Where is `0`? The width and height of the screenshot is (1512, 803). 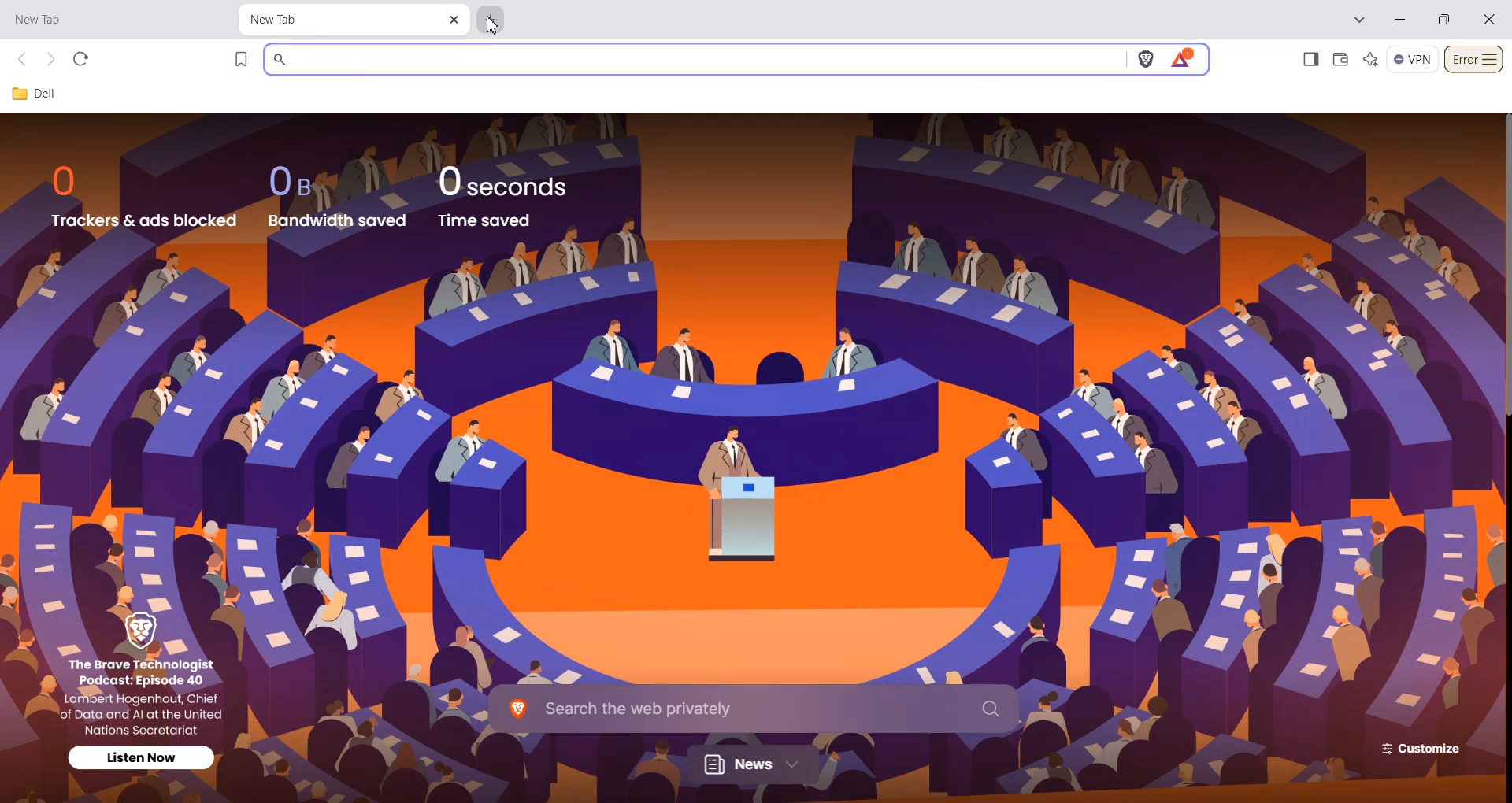
0 is located at coordinates (71, 180).